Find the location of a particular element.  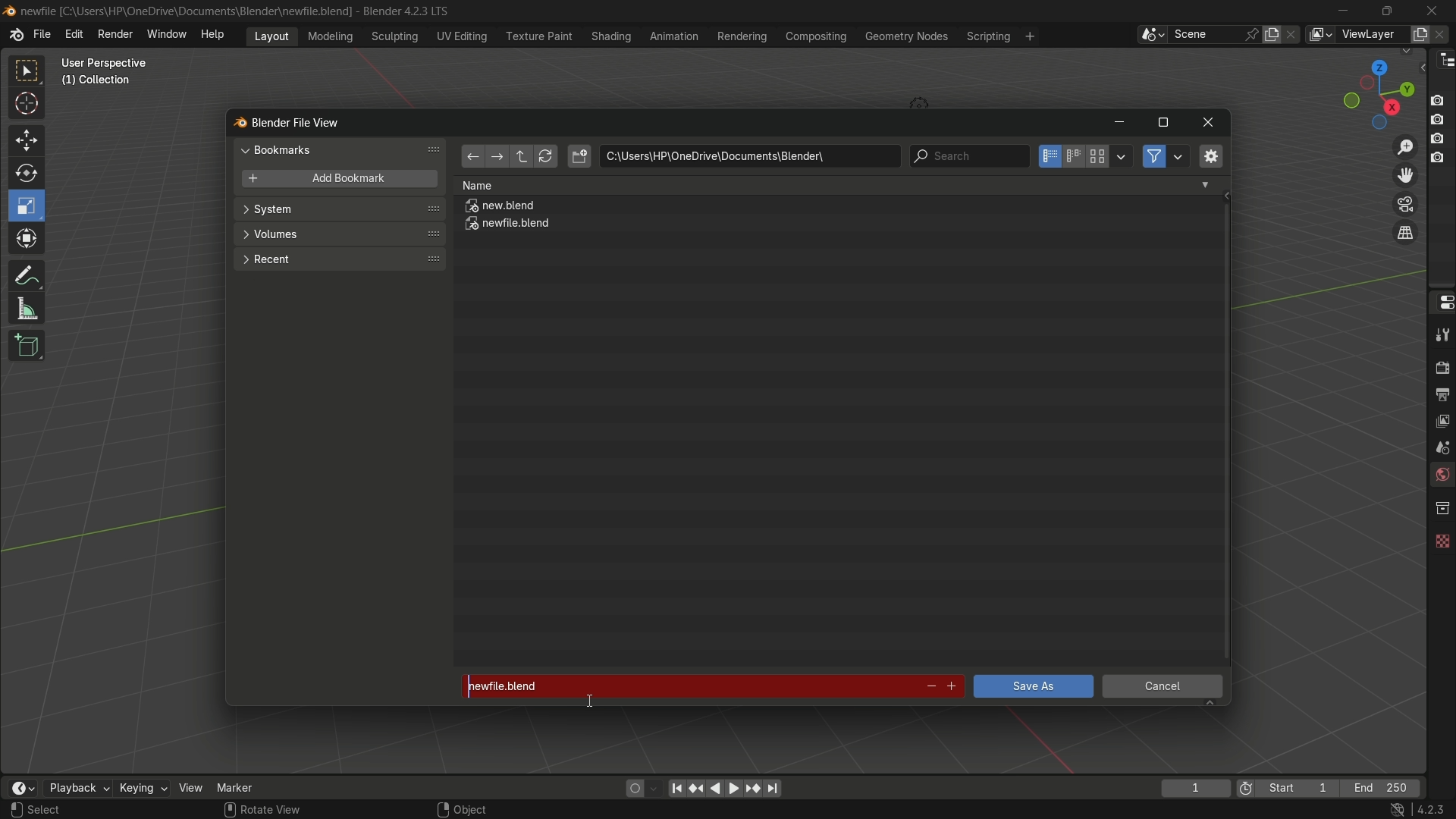

maximize or restore is located at coordinates (1163, 123).